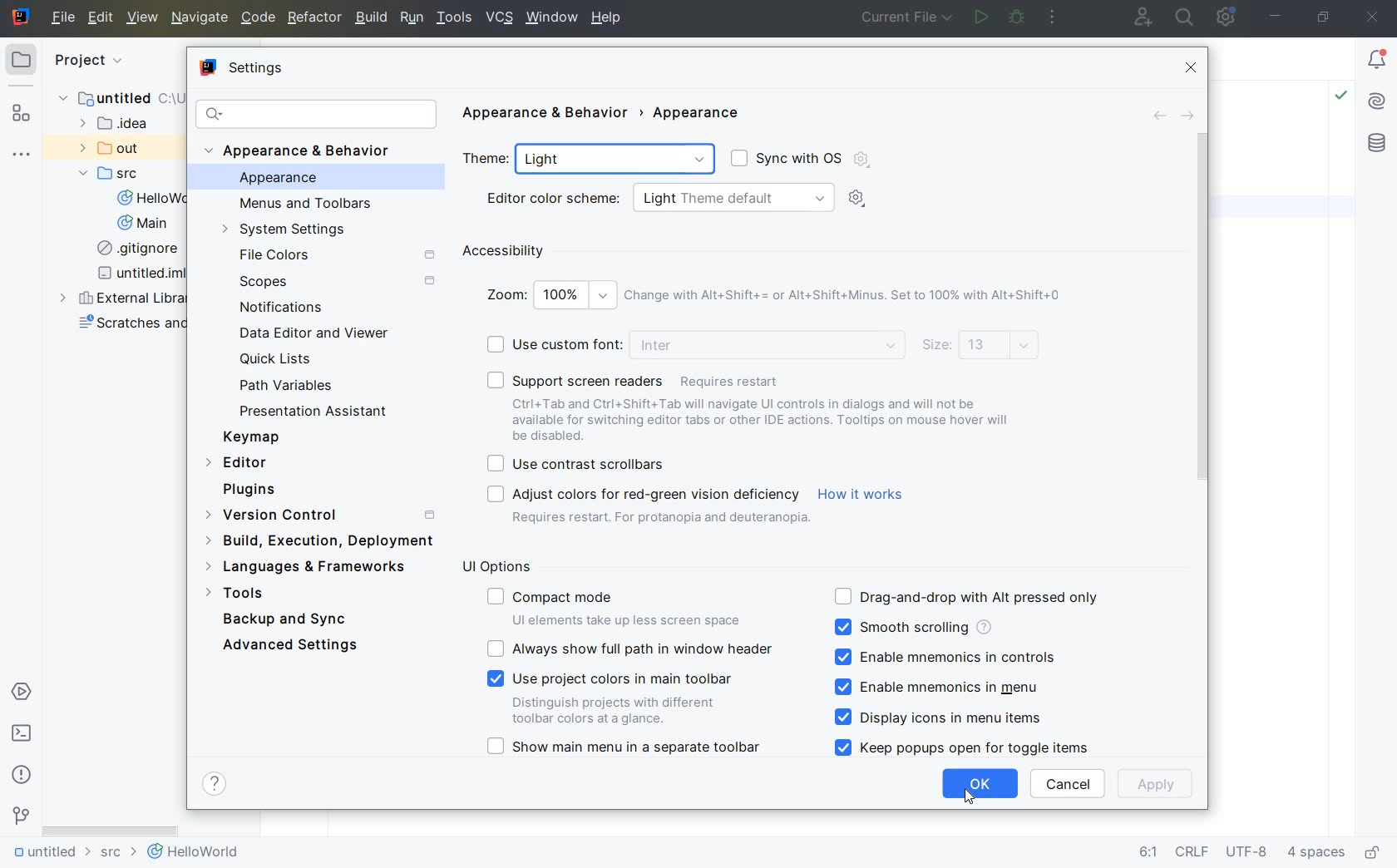  Describe the element at coordinates (646, 507) in the screenshot. I see `ADJUST COLORS FOR RED-GREEN VISION DEFICIENCY` at that location.